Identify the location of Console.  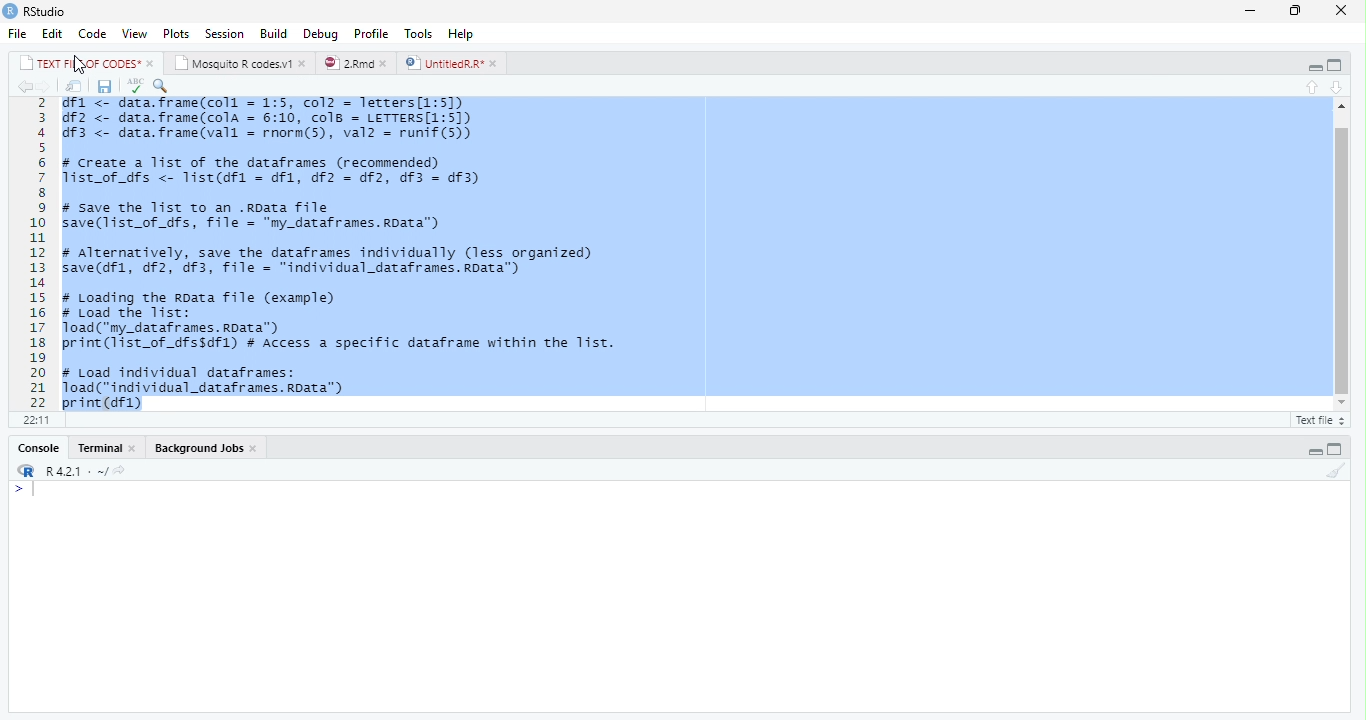
(37, 448).